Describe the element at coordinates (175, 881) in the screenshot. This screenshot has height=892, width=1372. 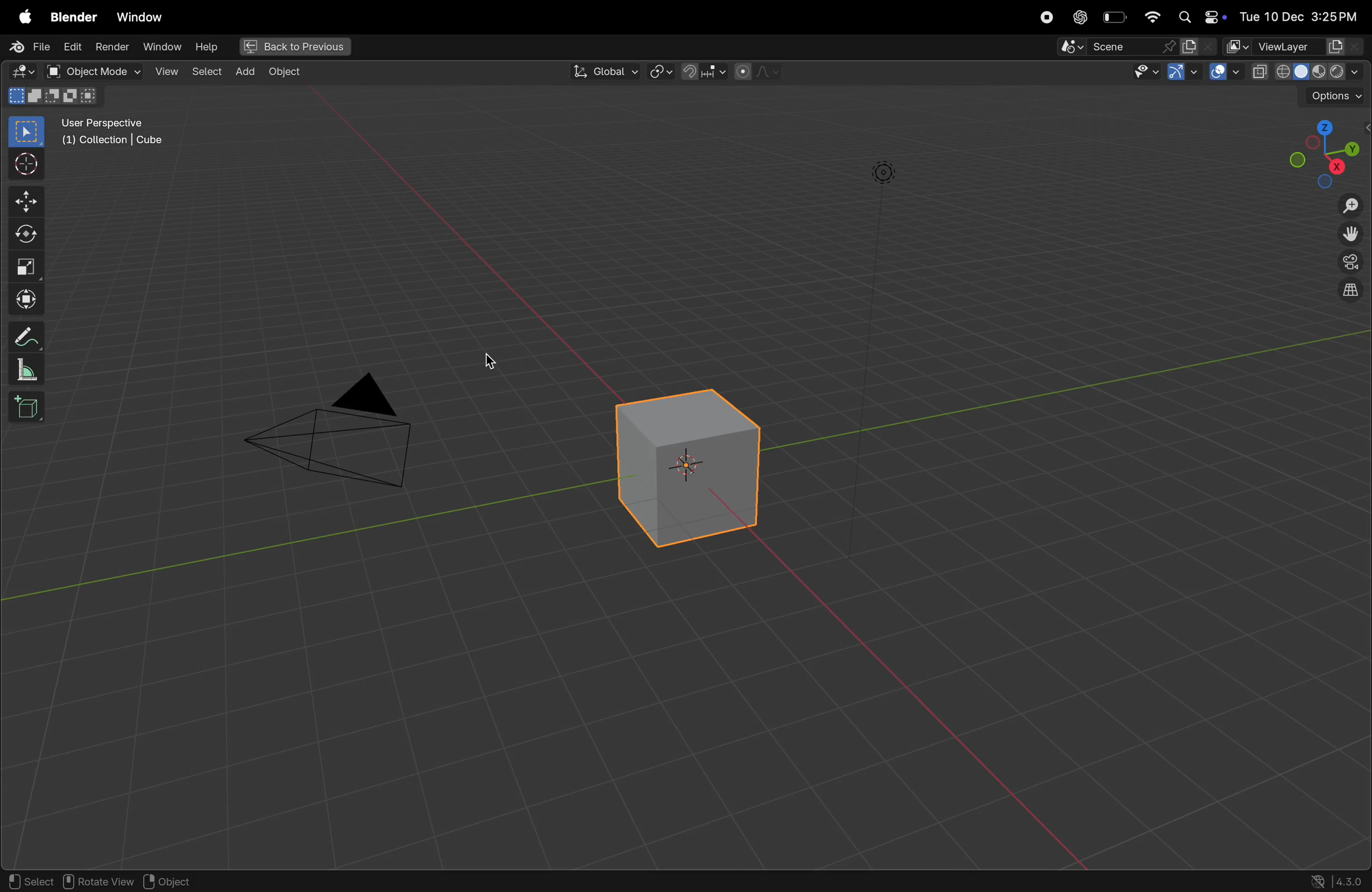
I see `objecg` at that location.